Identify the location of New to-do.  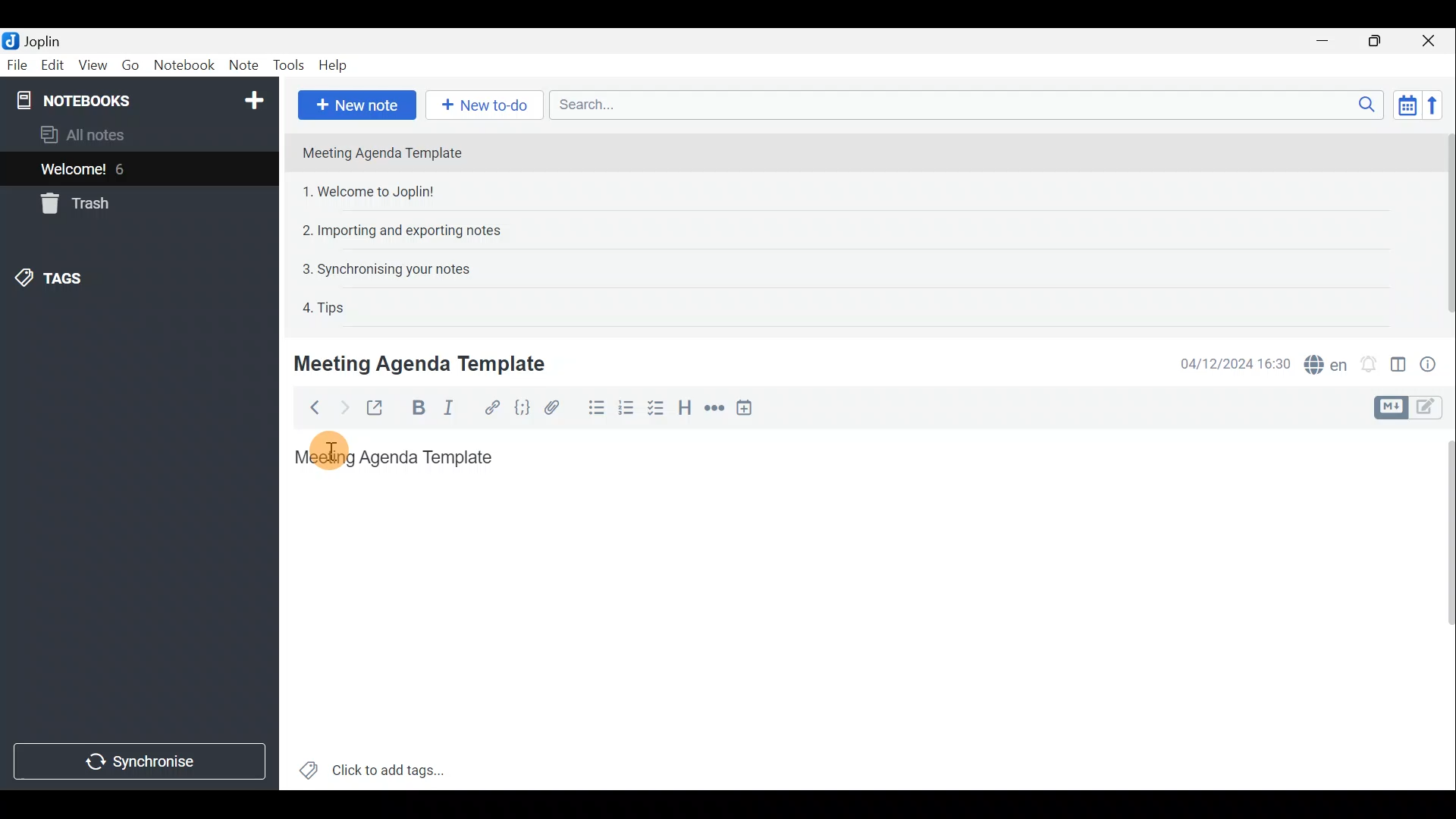
(479, 104).